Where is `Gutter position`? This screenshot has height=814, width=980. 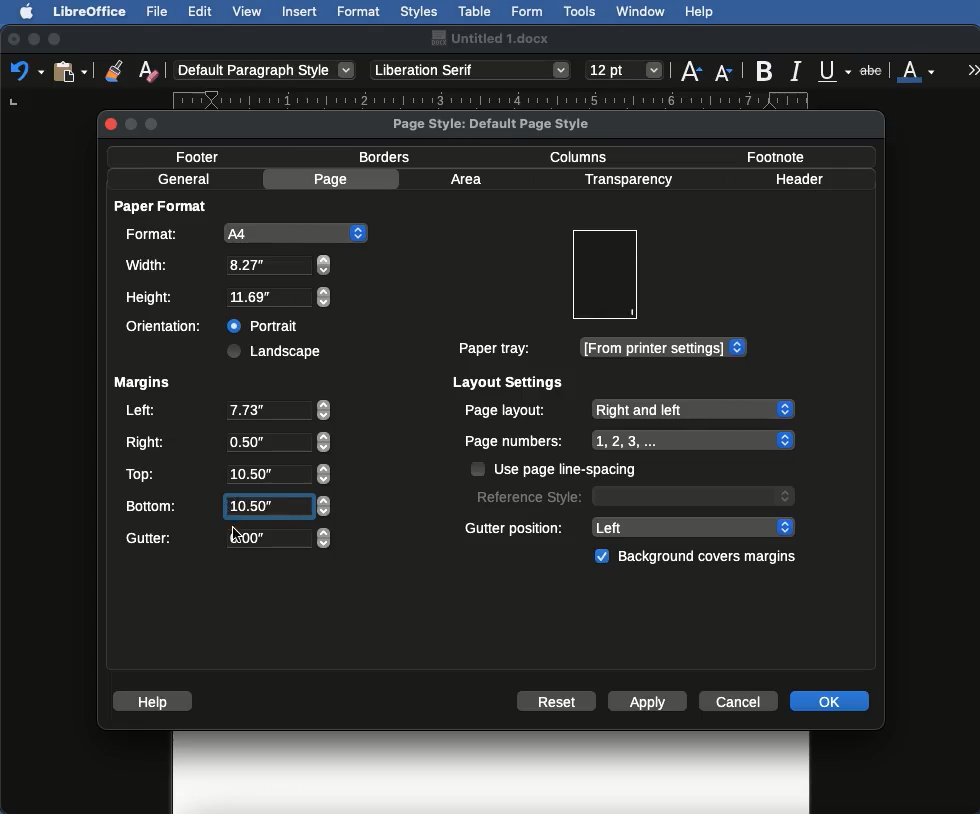 Gutter position is located at coordinates (631, 526).